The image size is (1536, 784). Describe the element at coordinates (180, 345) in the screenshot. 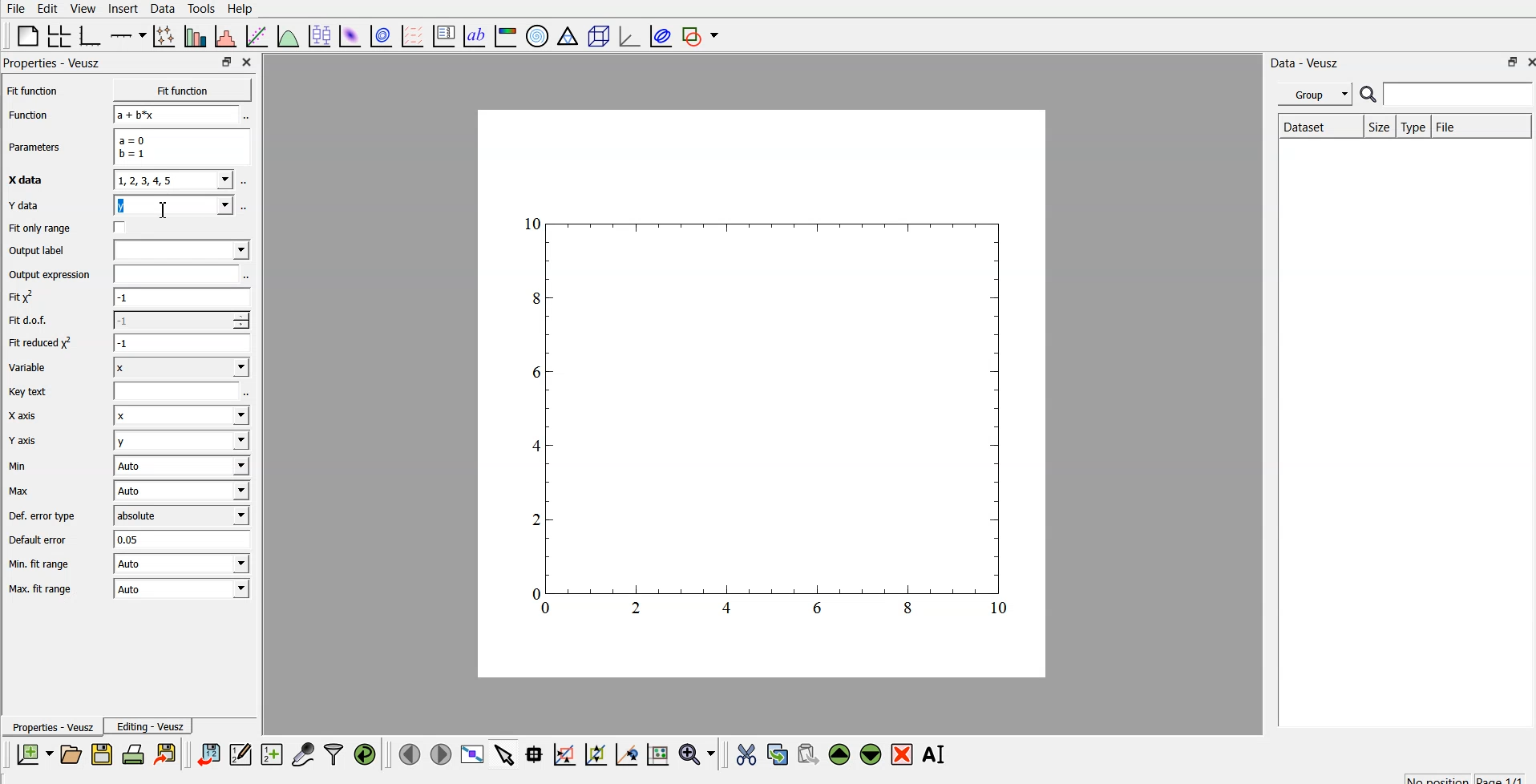

I see `1` at that location.